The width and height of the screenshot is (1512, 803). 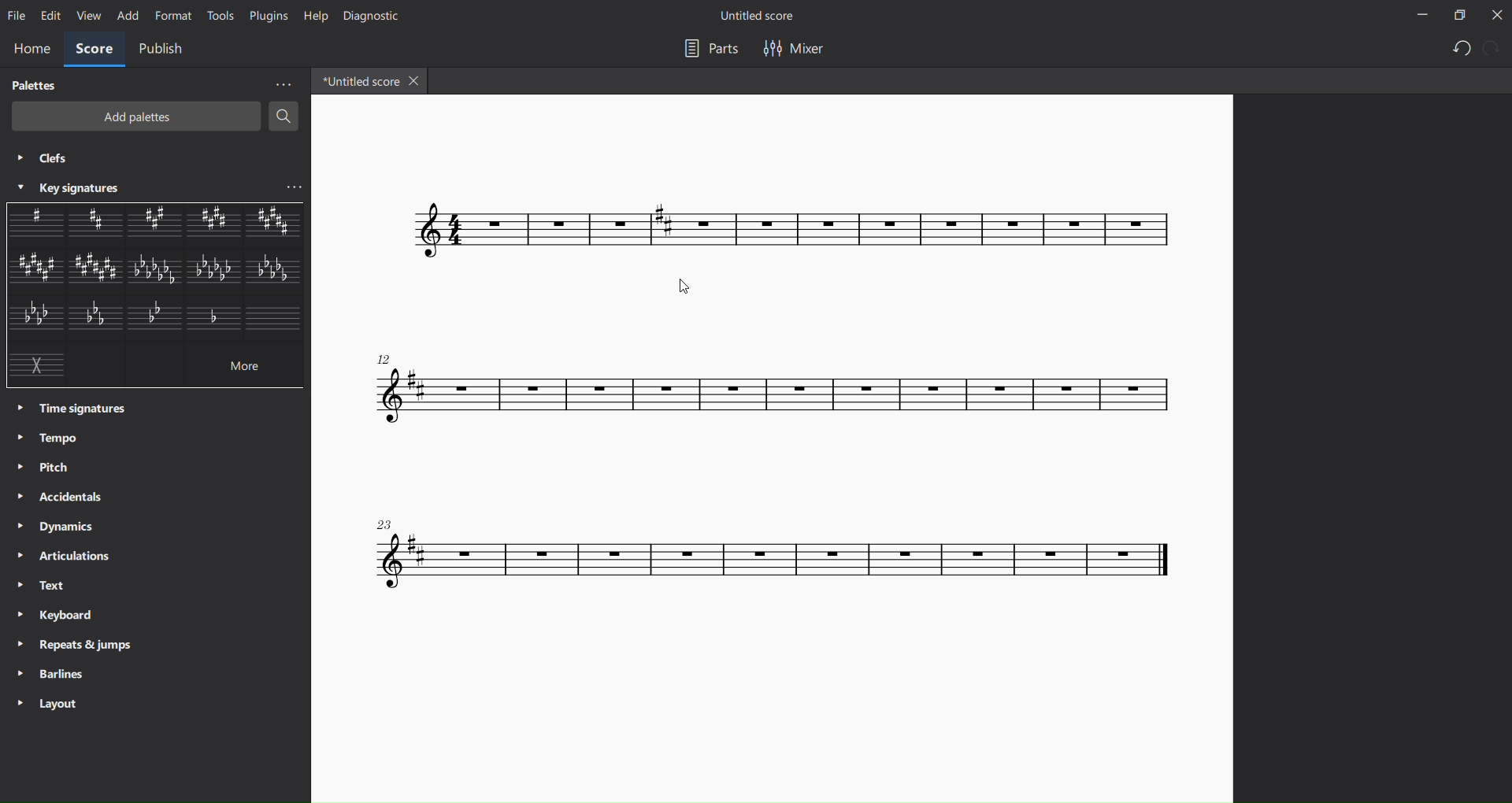 I want to click on redo, so click(x=1491, y=48).